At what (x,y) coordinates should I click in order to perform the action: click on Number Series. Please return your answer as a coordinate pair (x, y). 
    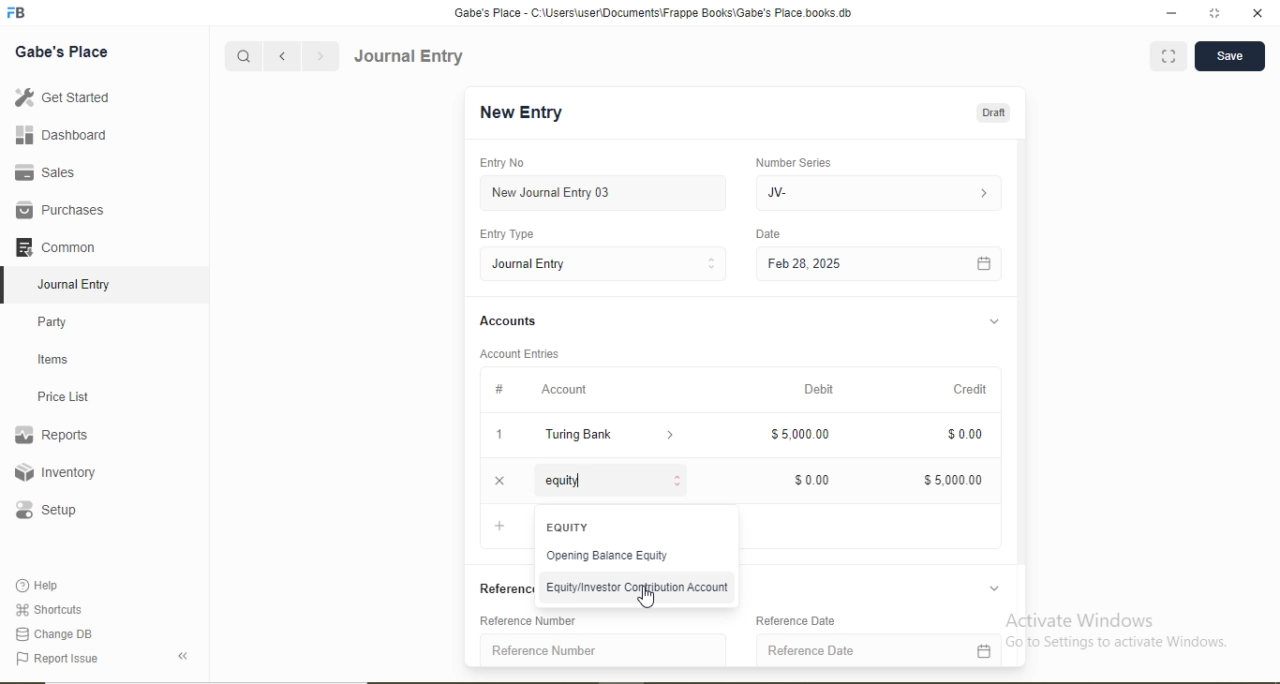
    Looking at the image, I should click on (793, 163).